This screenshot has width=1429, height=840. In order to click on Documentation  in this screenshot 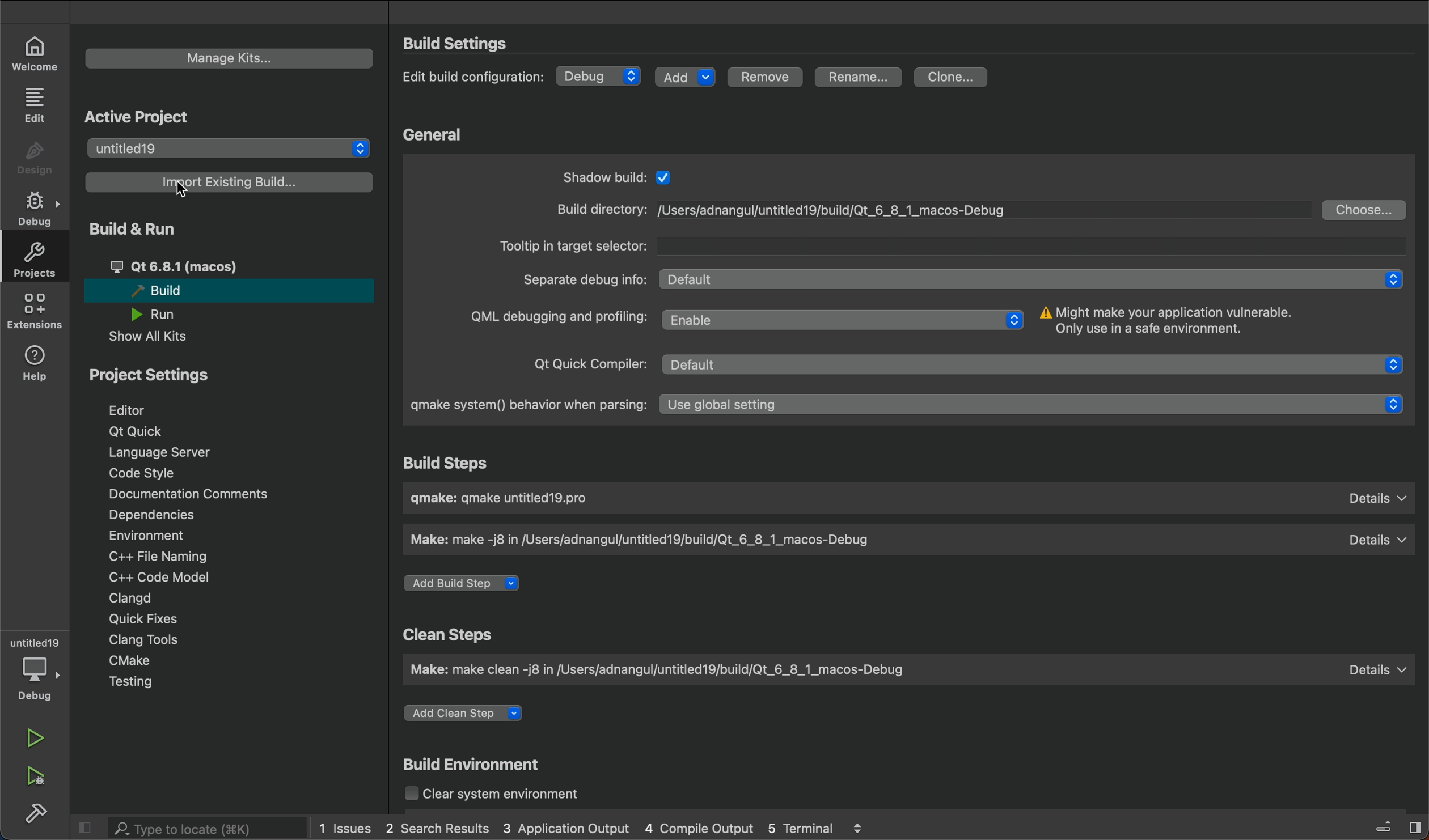, I will do `click(185, 494)`.